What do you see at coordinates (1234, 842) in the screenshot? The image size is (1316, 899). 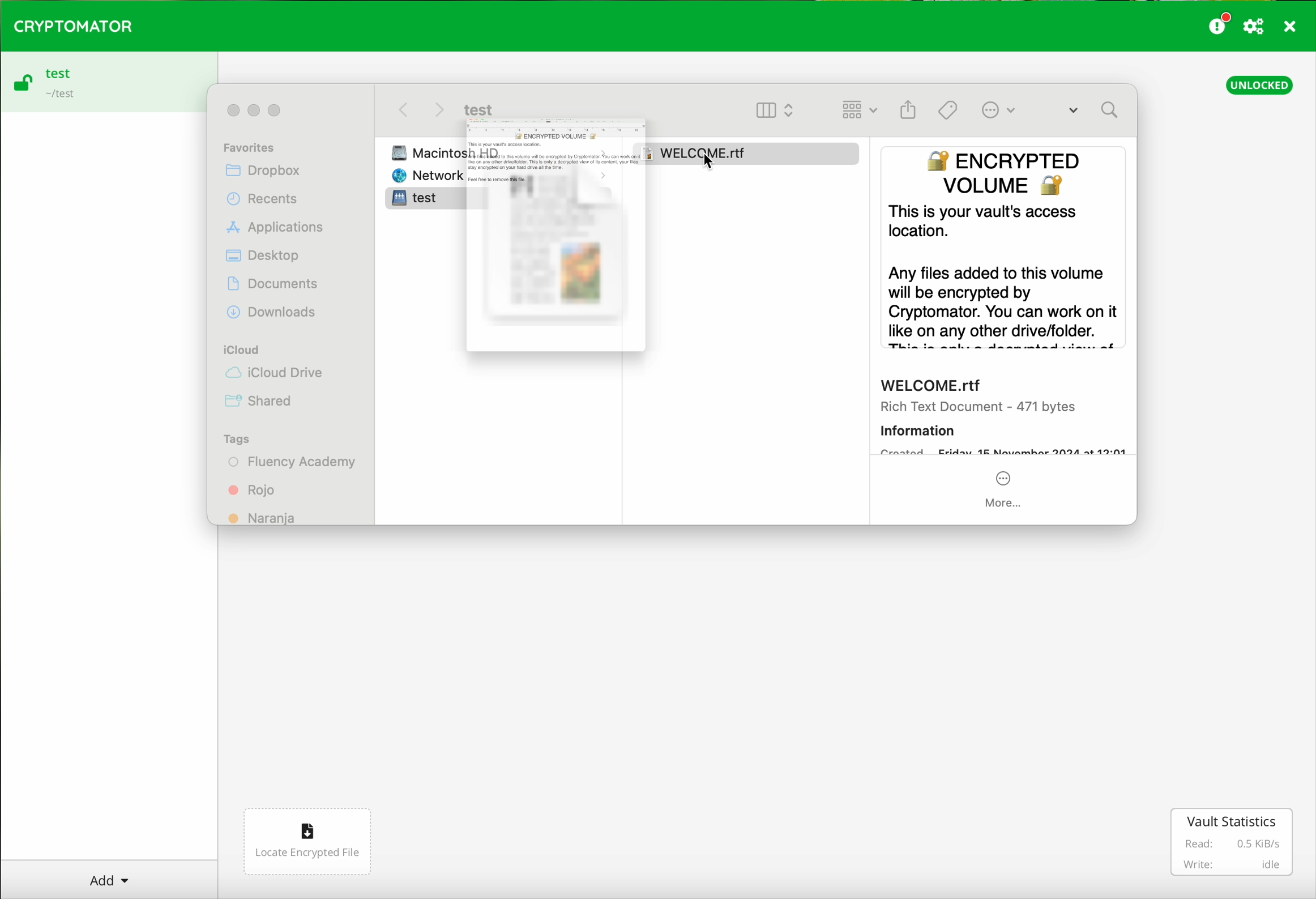 I see `vault statistics` at bounding box center [1234, 842].